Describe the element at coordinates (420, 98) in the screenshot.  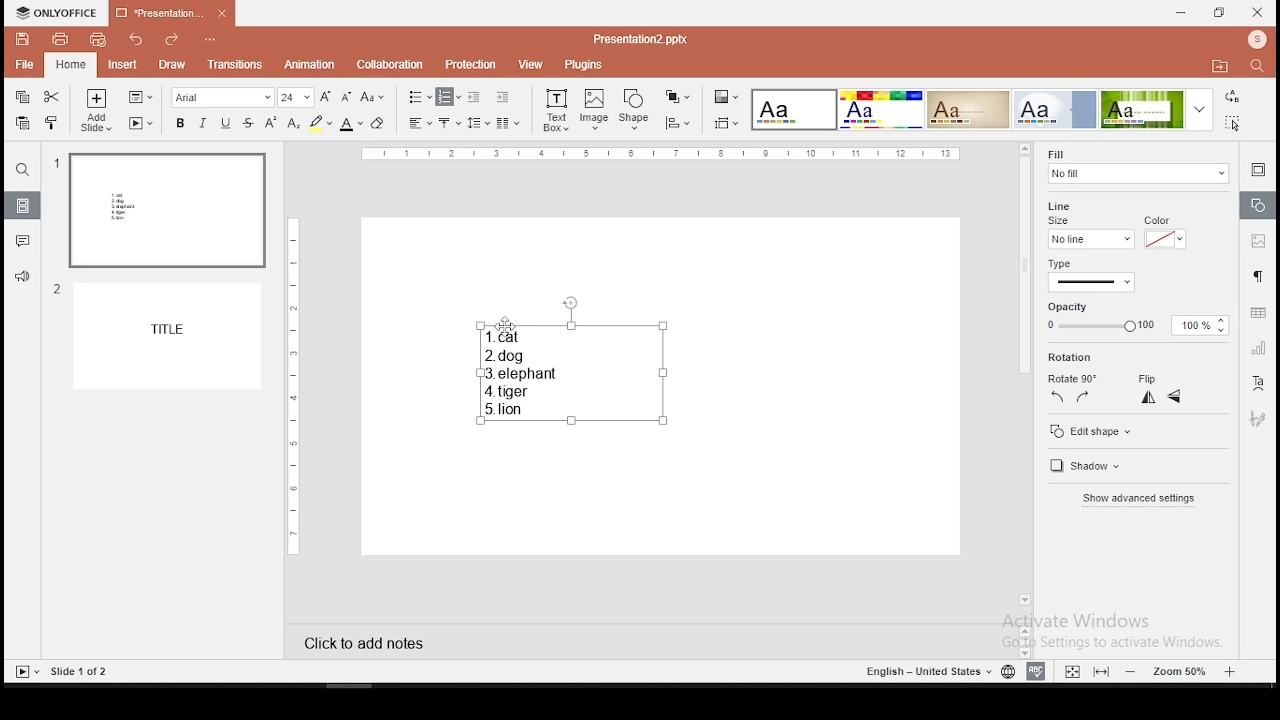
I see `bullets` at that location.